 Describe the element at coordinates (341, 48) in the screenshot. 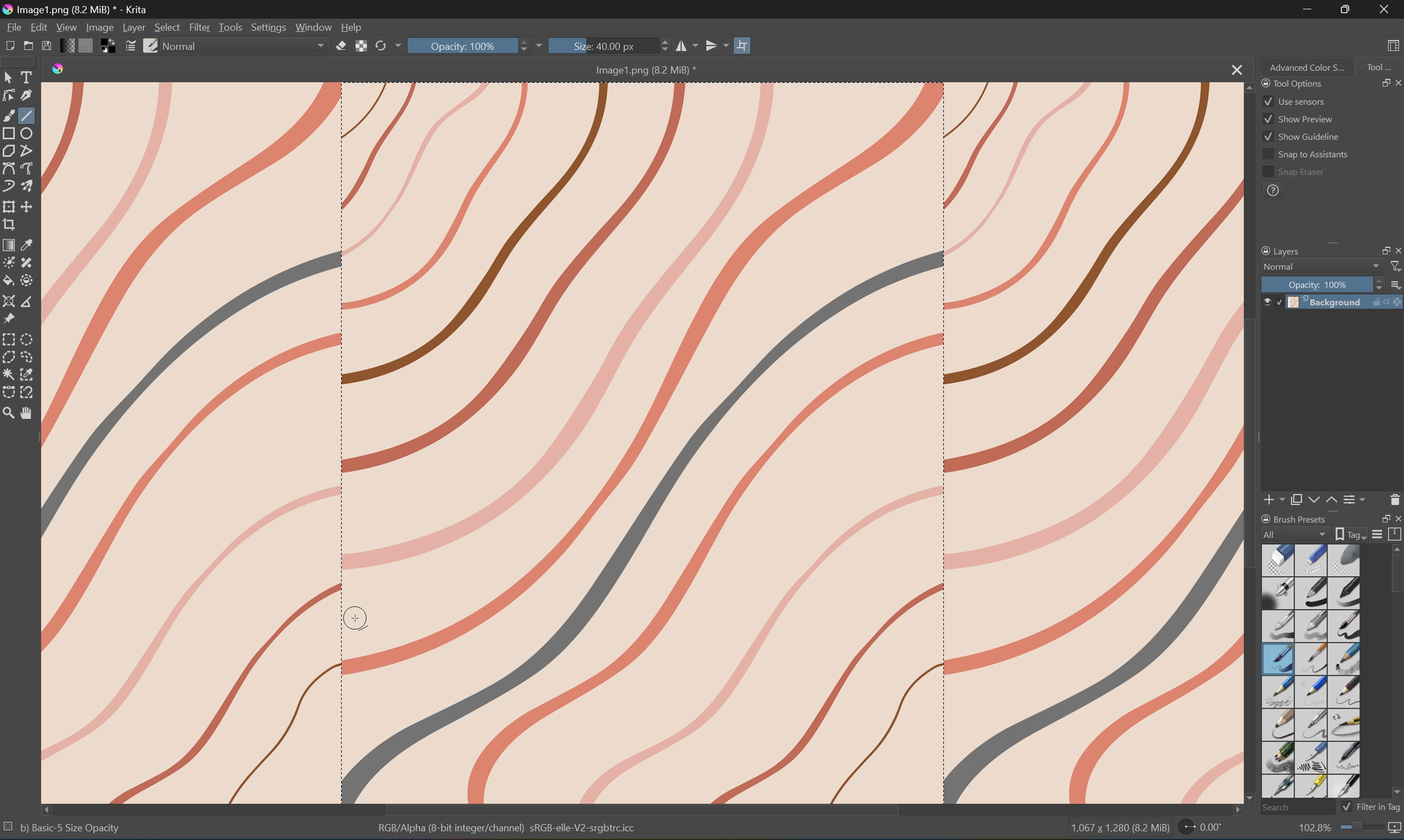

I see `Set eraser mode` at that location.